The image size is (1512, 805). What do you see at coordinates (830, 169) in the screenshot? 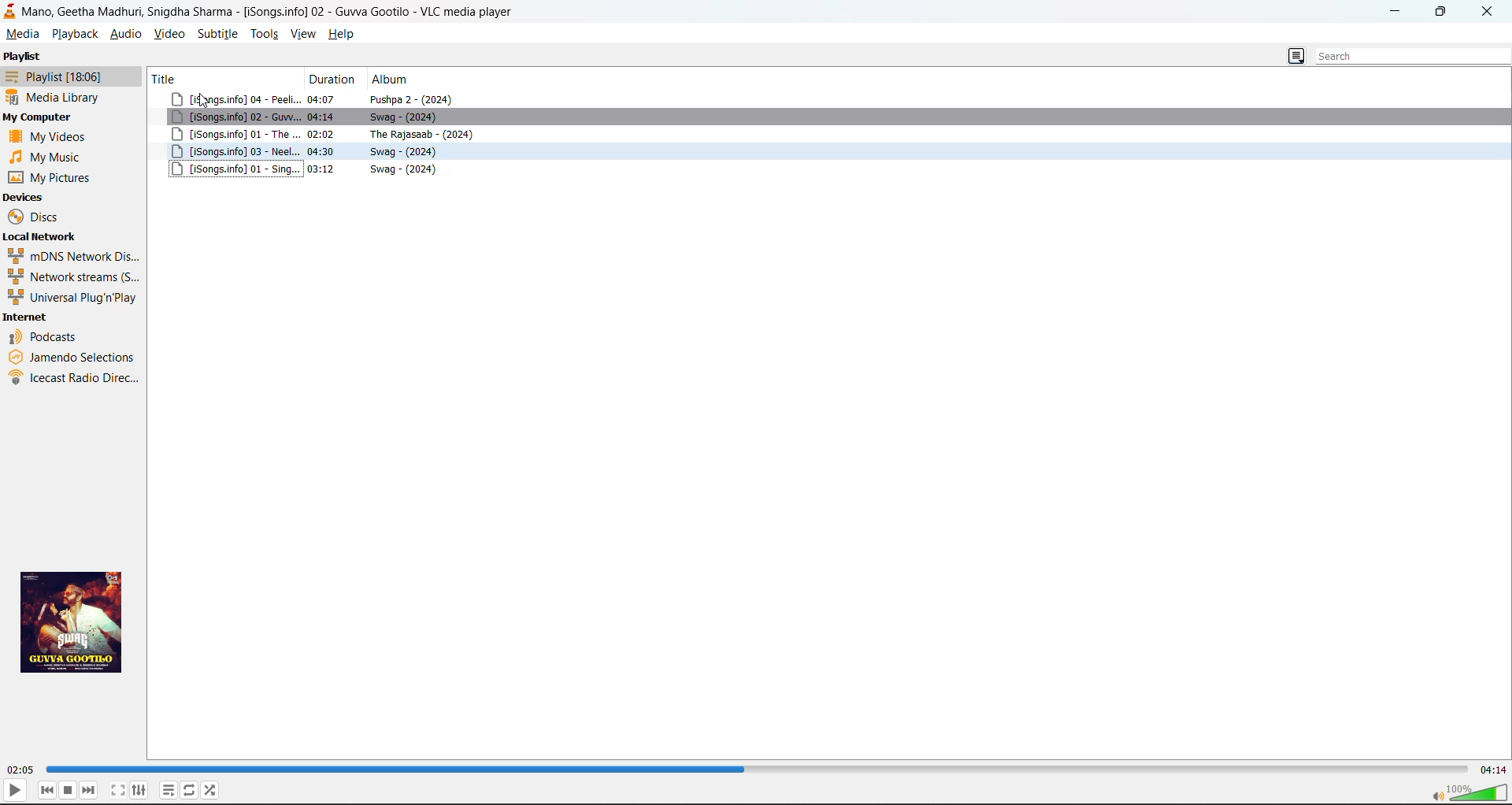
I see `song` at bounding box center [830, 169].